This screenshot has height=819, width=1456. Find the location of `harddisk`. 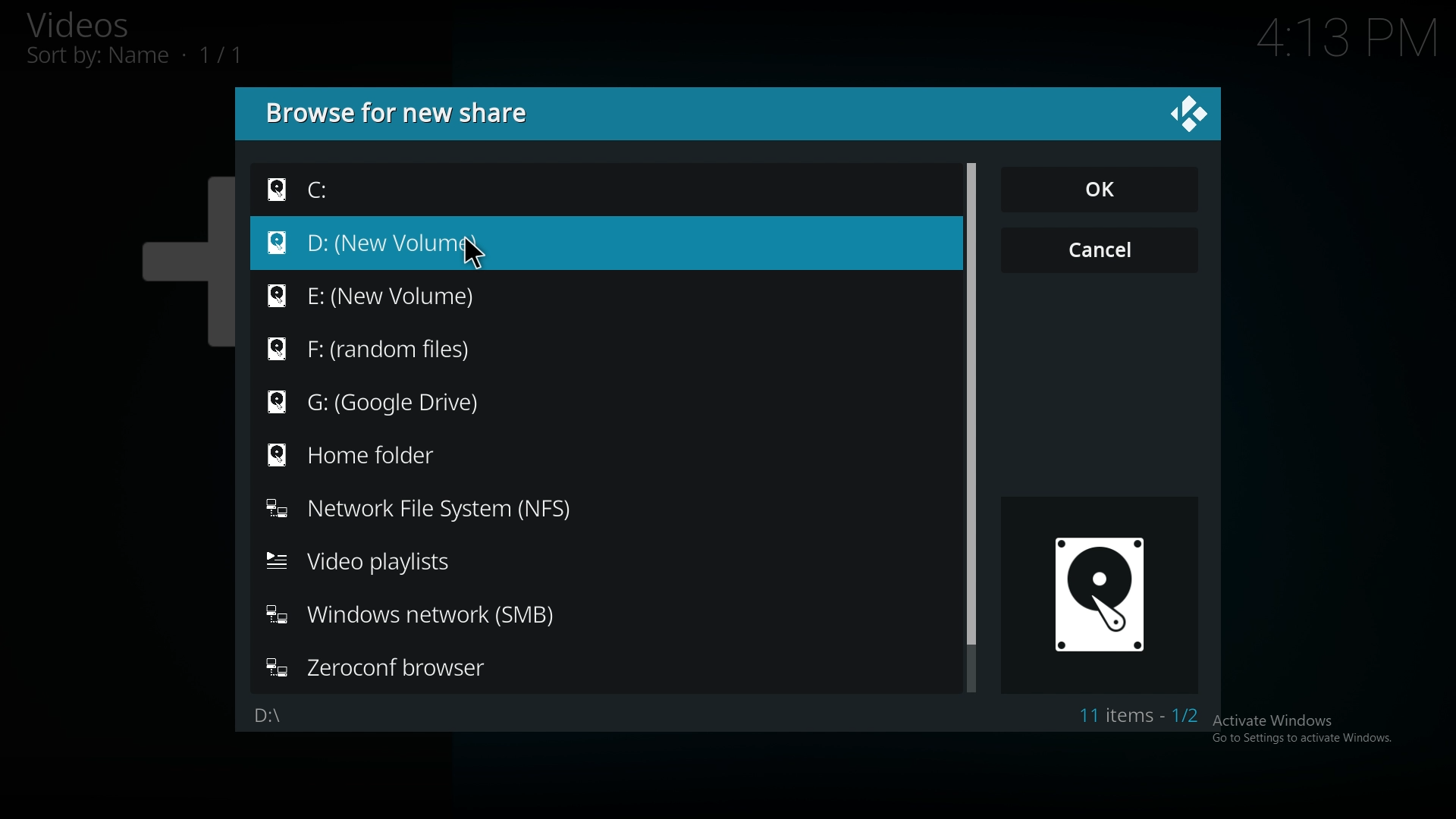

harddisk is located at coordinates (1106, 595).